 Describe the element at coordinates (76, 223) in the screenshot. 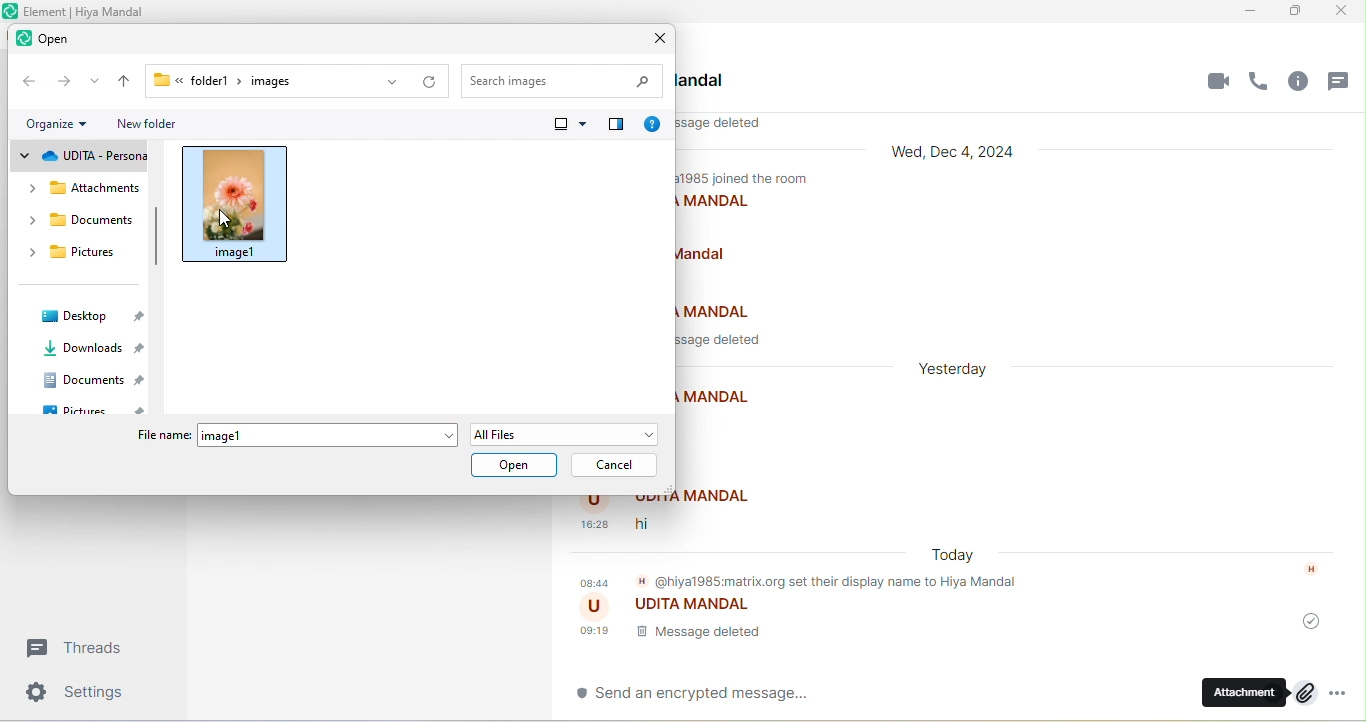

I see `documents` at that location.